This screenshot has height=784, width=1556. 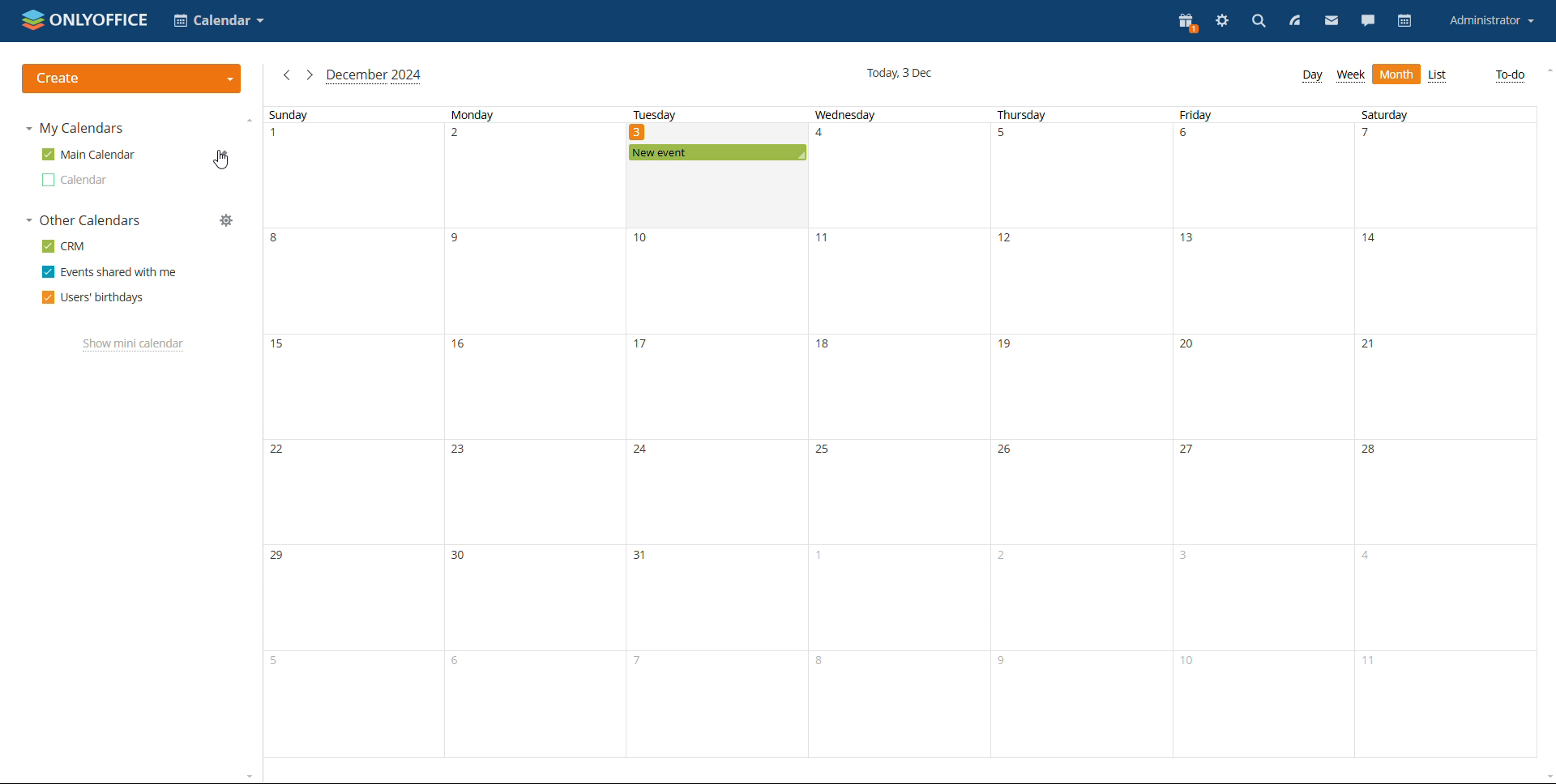 I want to click on existing event, so click(x=717, y=153).